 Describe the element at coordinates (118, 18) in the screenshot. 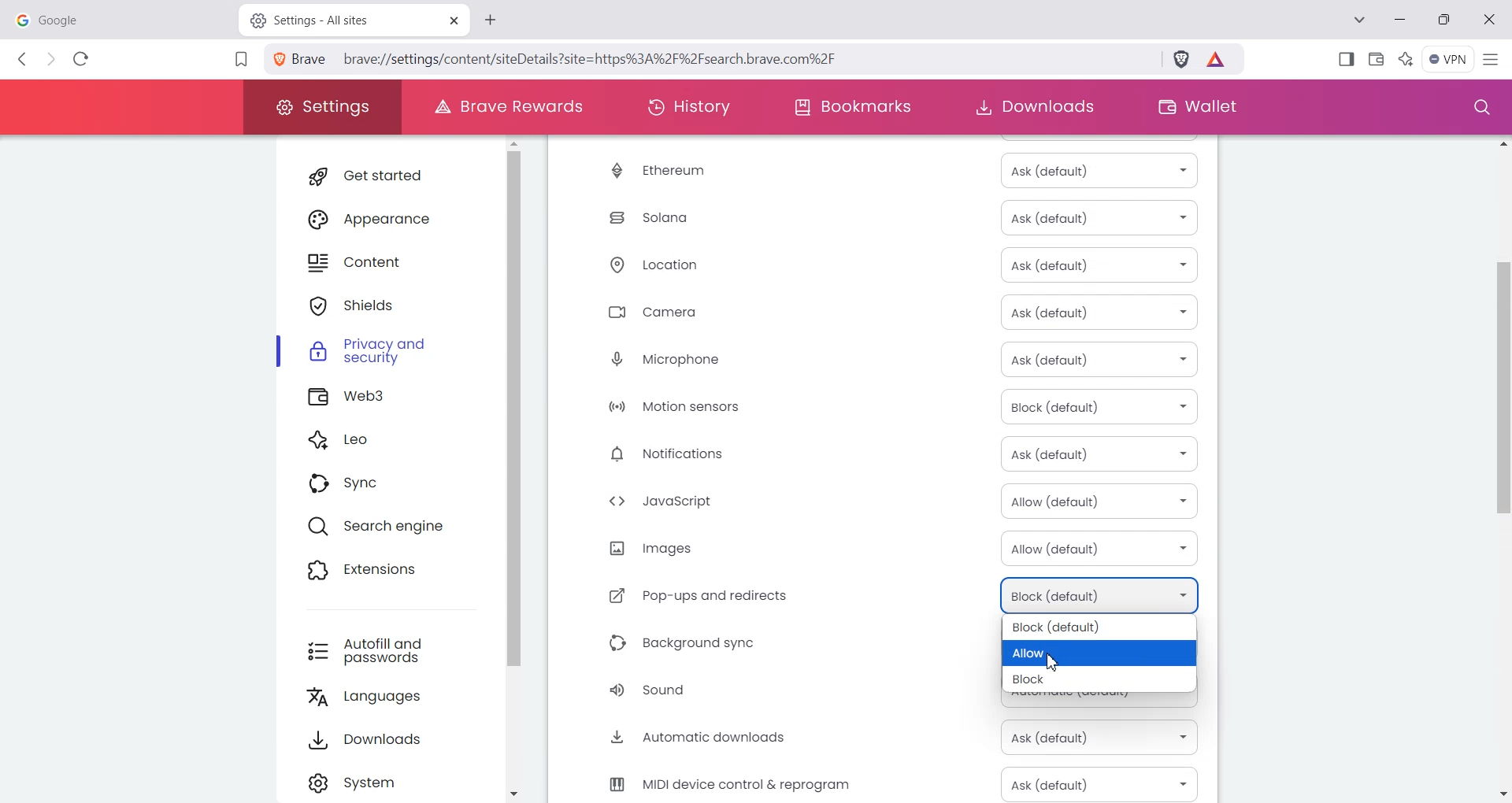

I see `google` at that location.